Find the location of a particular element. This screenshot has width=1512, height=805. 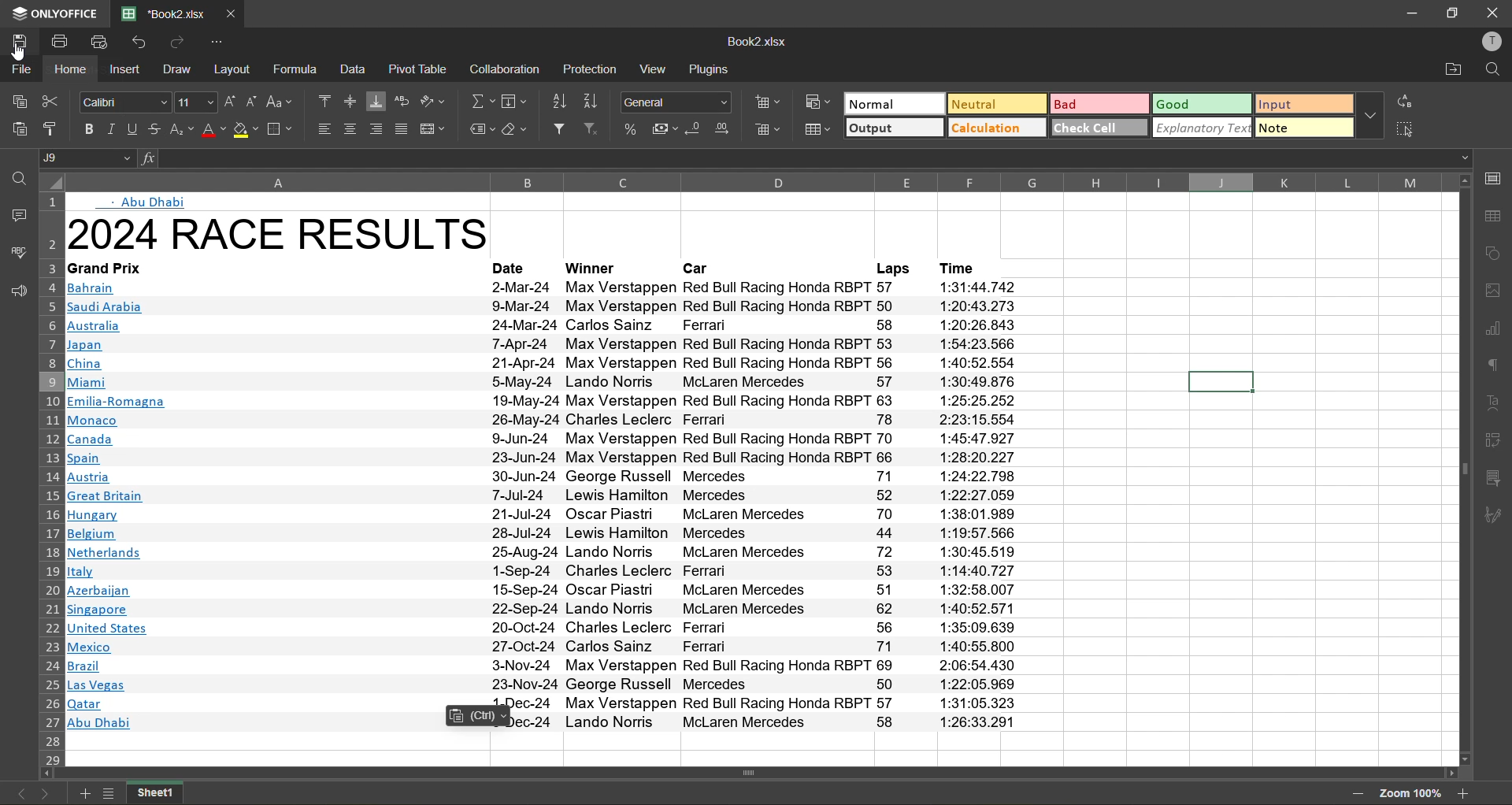

conditional formatting is located at coordinates (821, 102).